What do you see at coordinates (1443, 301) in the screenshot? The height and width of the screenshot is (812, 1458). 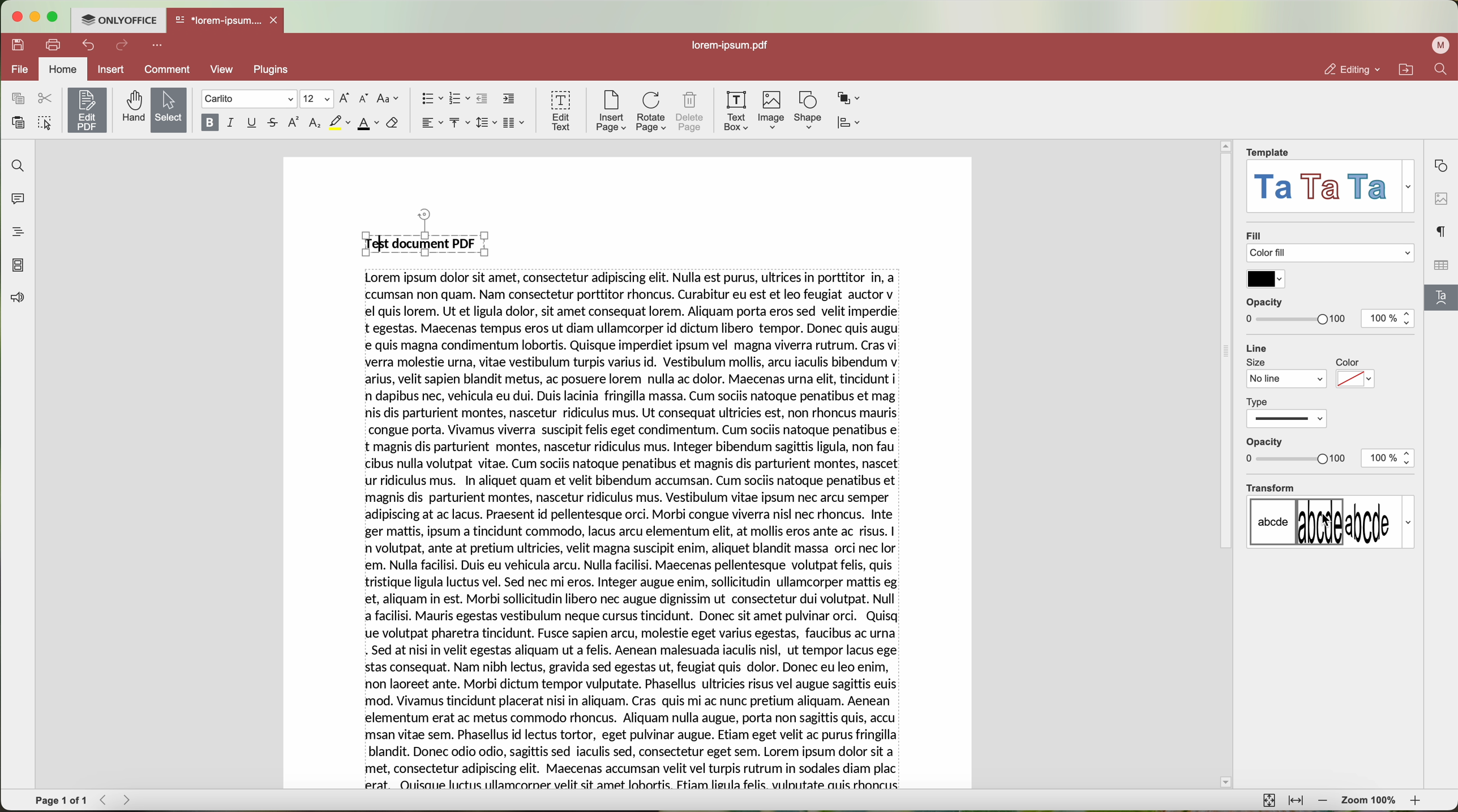 I see `text art settings` at bounding box center [1443, 301].